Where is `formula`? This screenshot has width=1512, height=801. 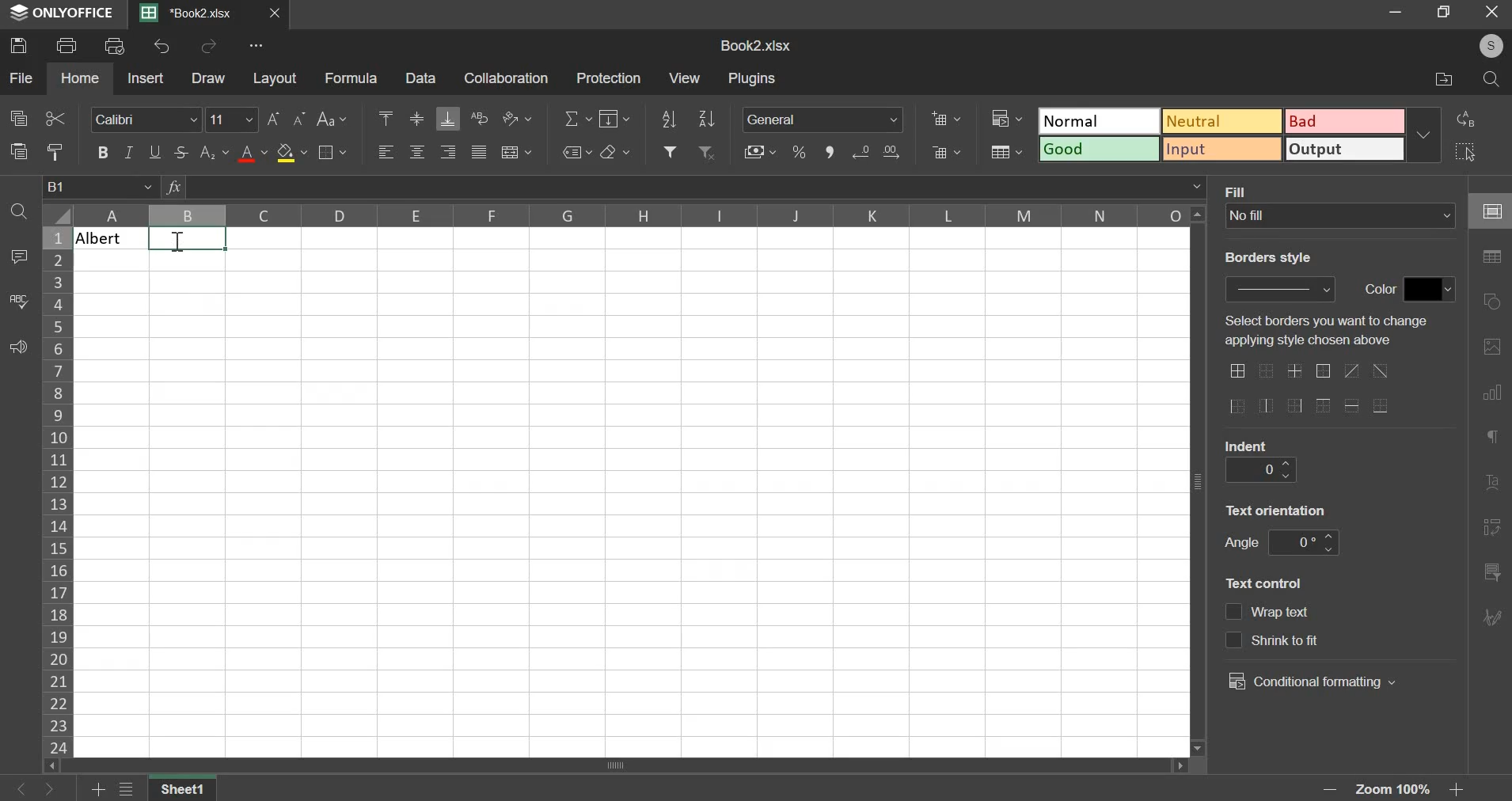
formula is located at coordinates (352, 78).